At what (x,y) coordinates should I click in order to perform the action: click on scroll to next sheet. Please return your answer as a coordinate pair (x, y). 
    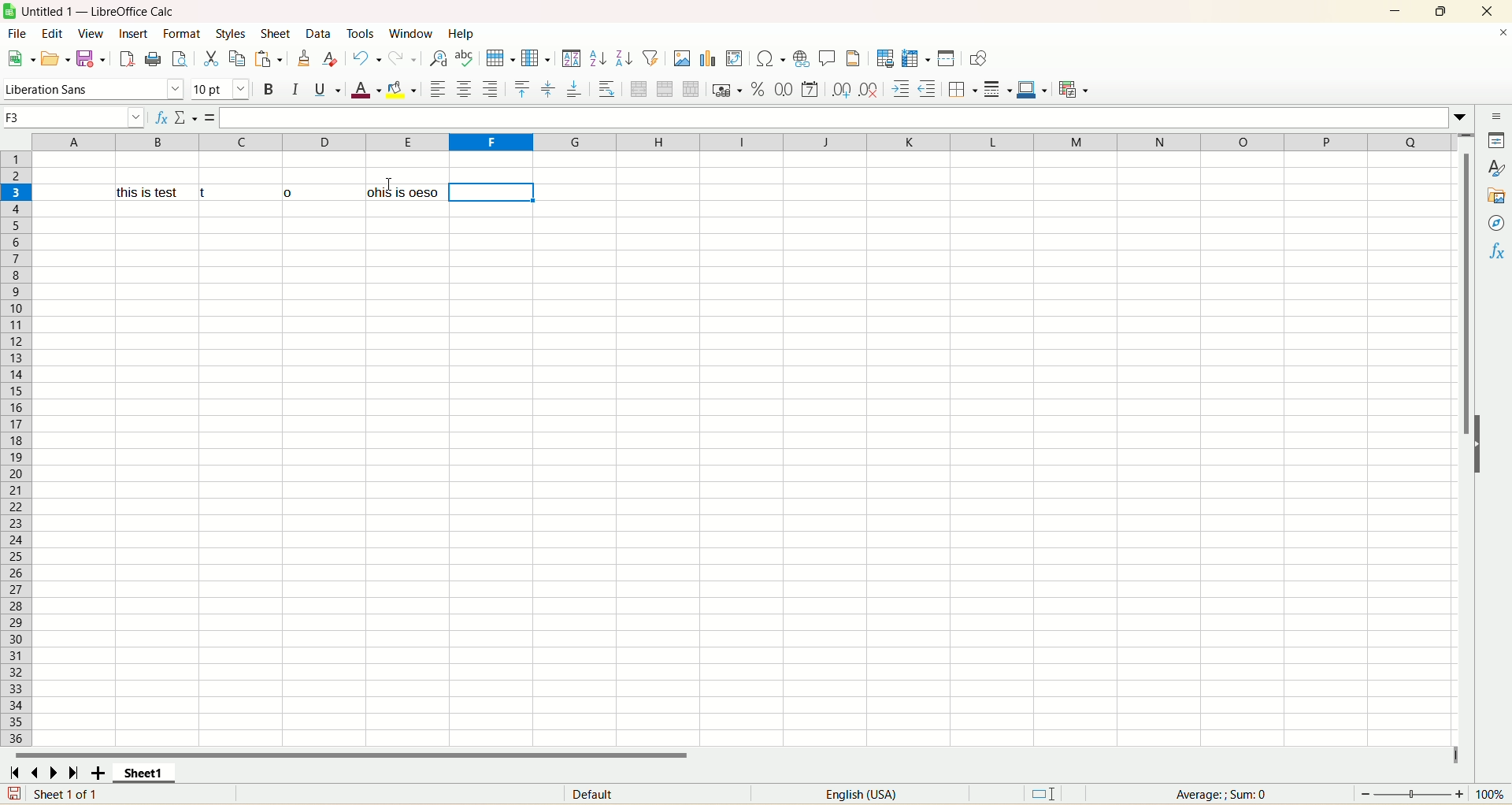
    Looking at the image, I should click on (54, 769).